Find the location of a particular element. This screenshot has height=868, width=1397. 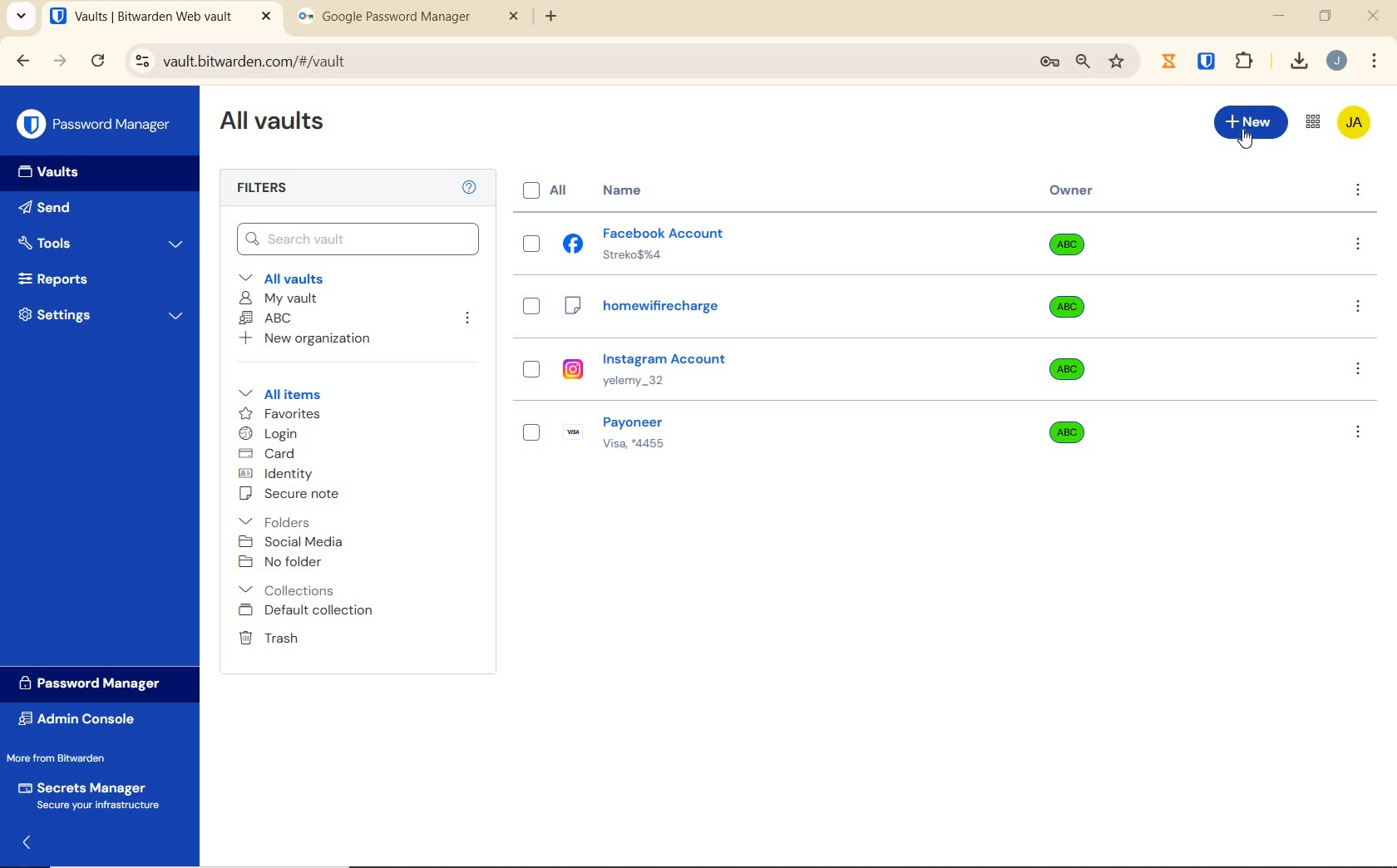

address bar is located at coordinates (573, 62).